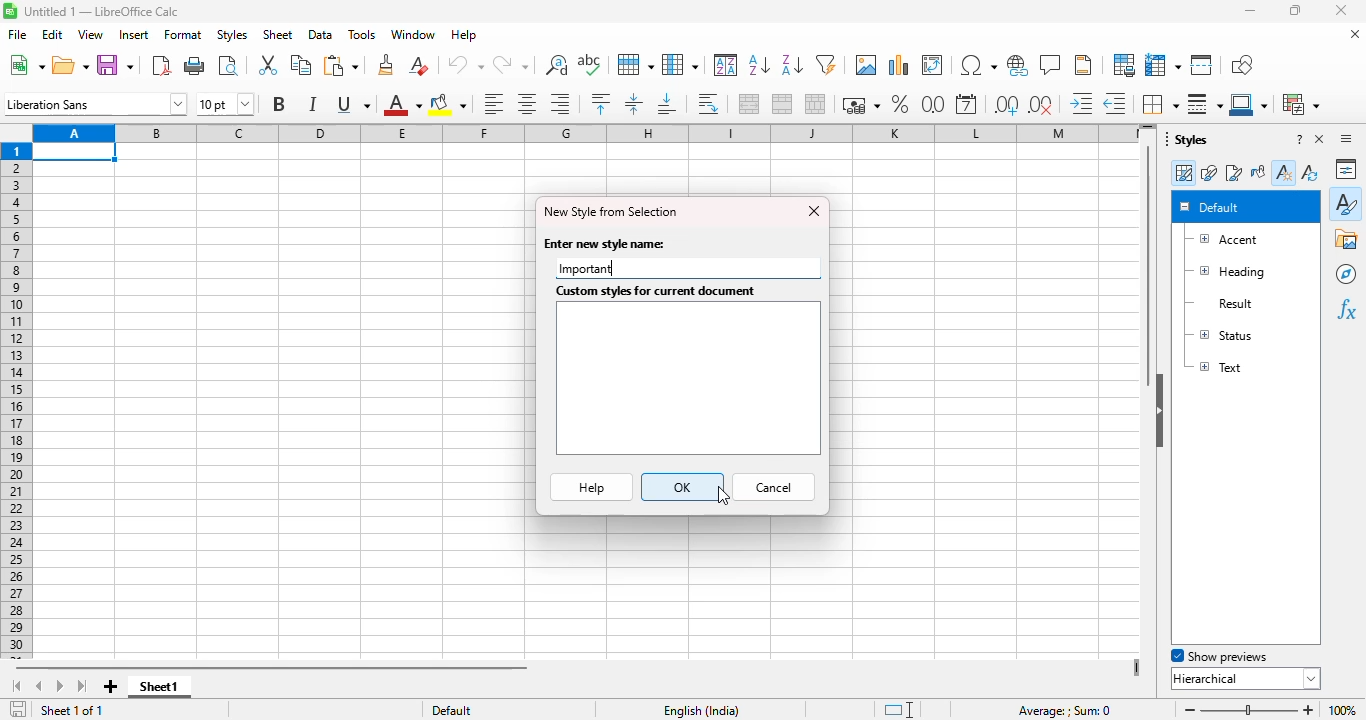 Image resolution: width=1366 pixels, height=720 pixels. What do you see at coordinates (1341, 10) in the screenshot?
I see `close` at bounding box center [1341, 10].